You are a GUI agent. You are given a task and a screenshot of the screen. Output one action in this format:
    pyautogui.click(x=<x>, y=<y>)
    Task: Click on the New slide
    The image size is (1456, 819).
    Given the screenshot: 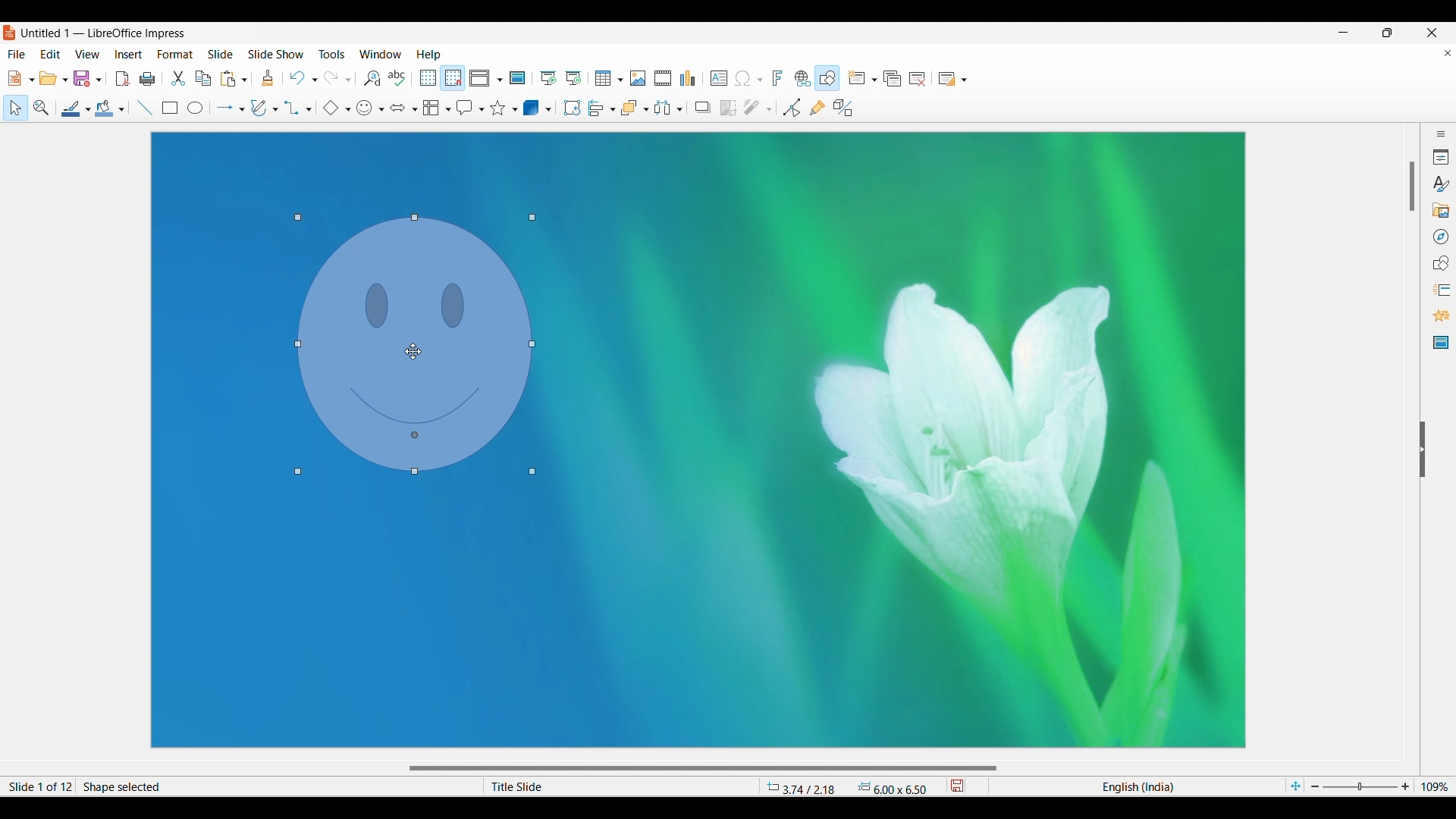 What is the action you would take?
    pyautogui.click(x=856, y=77)
    